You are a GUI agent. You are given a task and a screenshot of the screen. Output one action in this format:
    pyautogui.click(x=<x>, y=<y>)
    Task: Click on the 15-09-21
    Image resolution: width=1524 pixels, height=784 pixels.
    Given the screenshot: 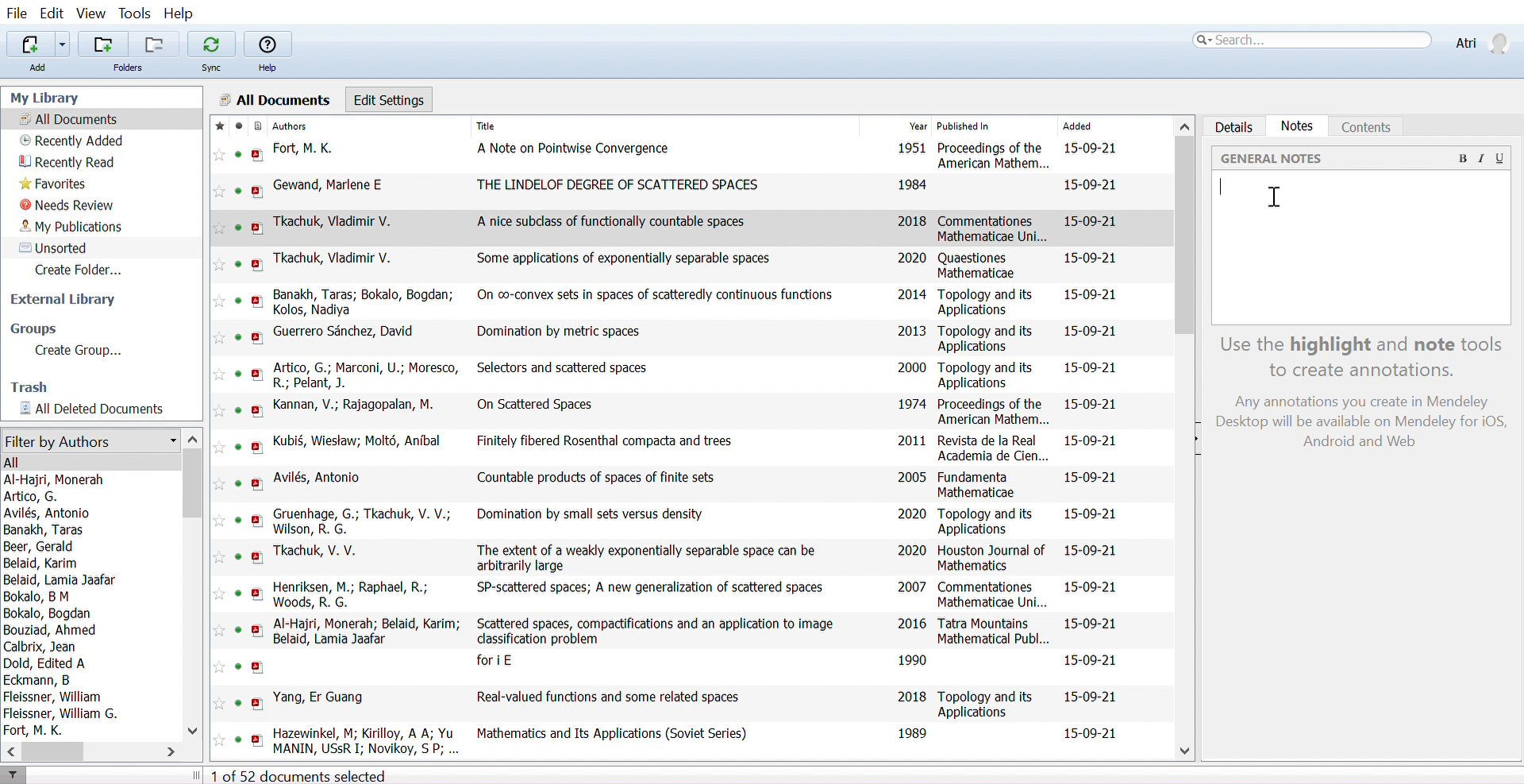 What is the action you would take?
    pyautogui.click(x=1094, y=623)
    